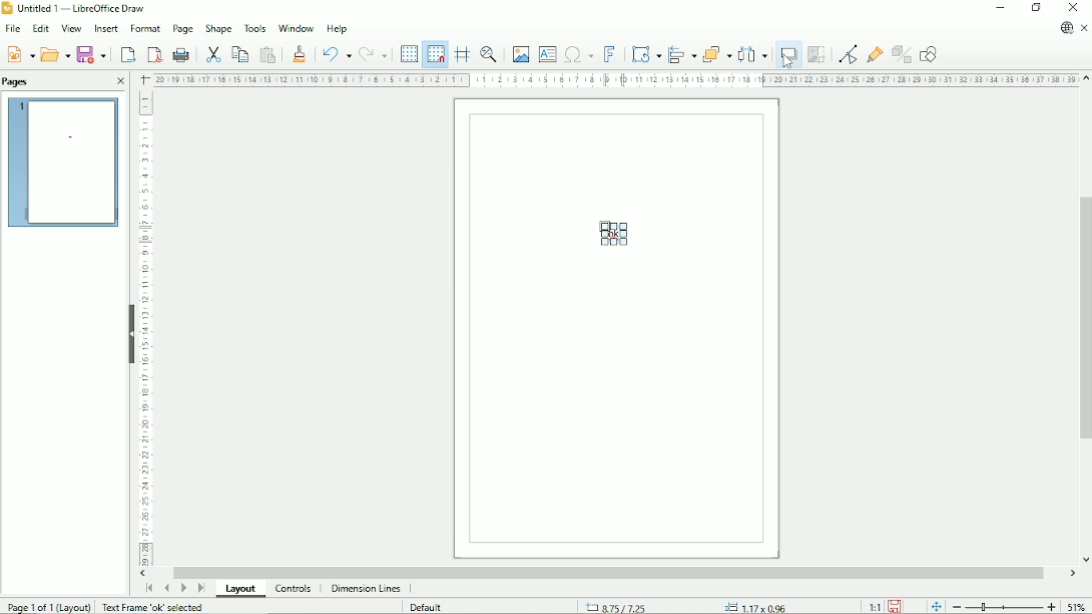 The image size is (1092, 614). What do you see at coordinates (218, 28) in the screenshot?
I see `Shape` at bounding box center [218, 28].